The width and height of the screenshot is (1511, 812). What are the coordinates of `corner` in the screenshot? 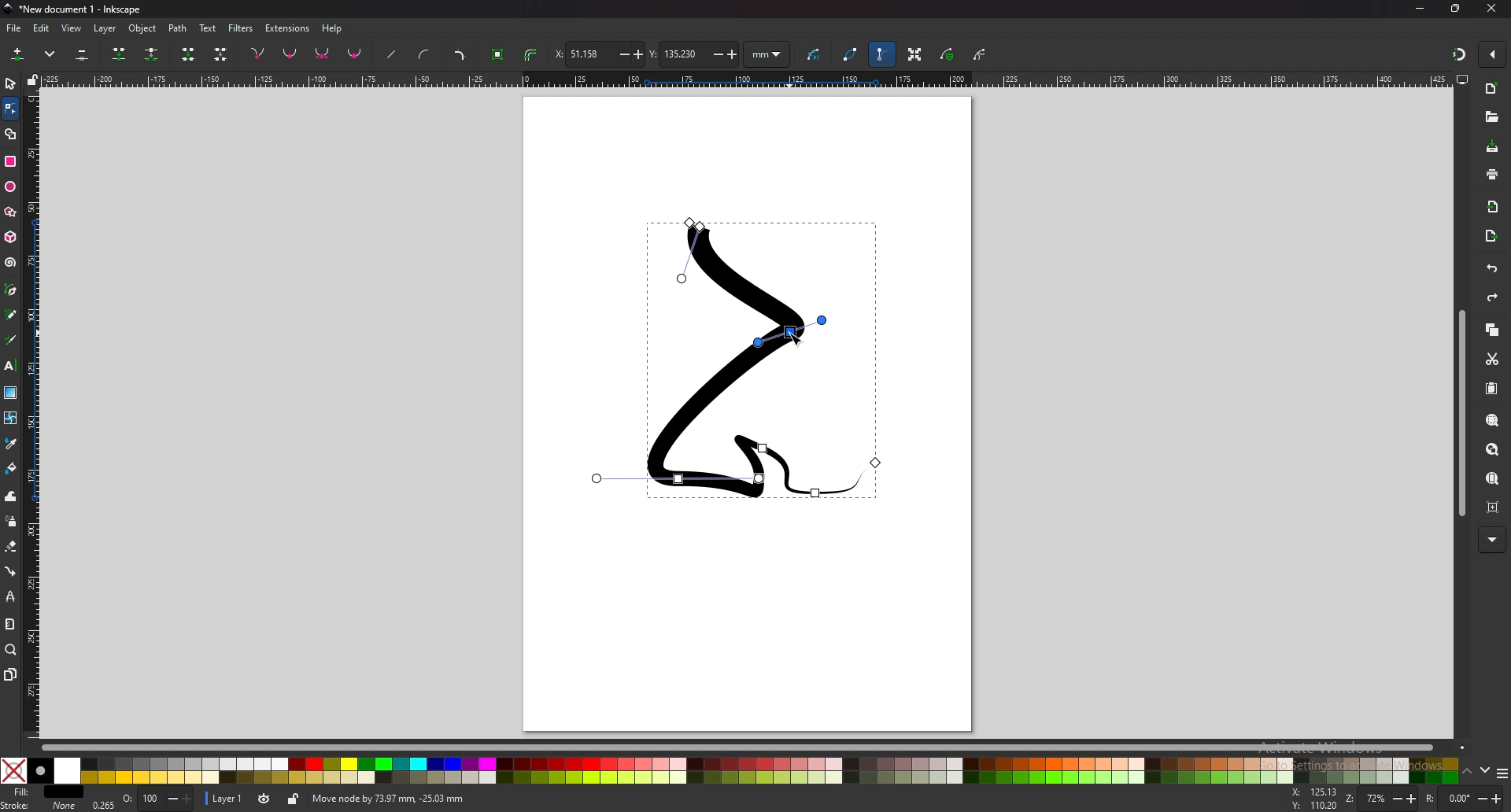 It's located at (259, 53).